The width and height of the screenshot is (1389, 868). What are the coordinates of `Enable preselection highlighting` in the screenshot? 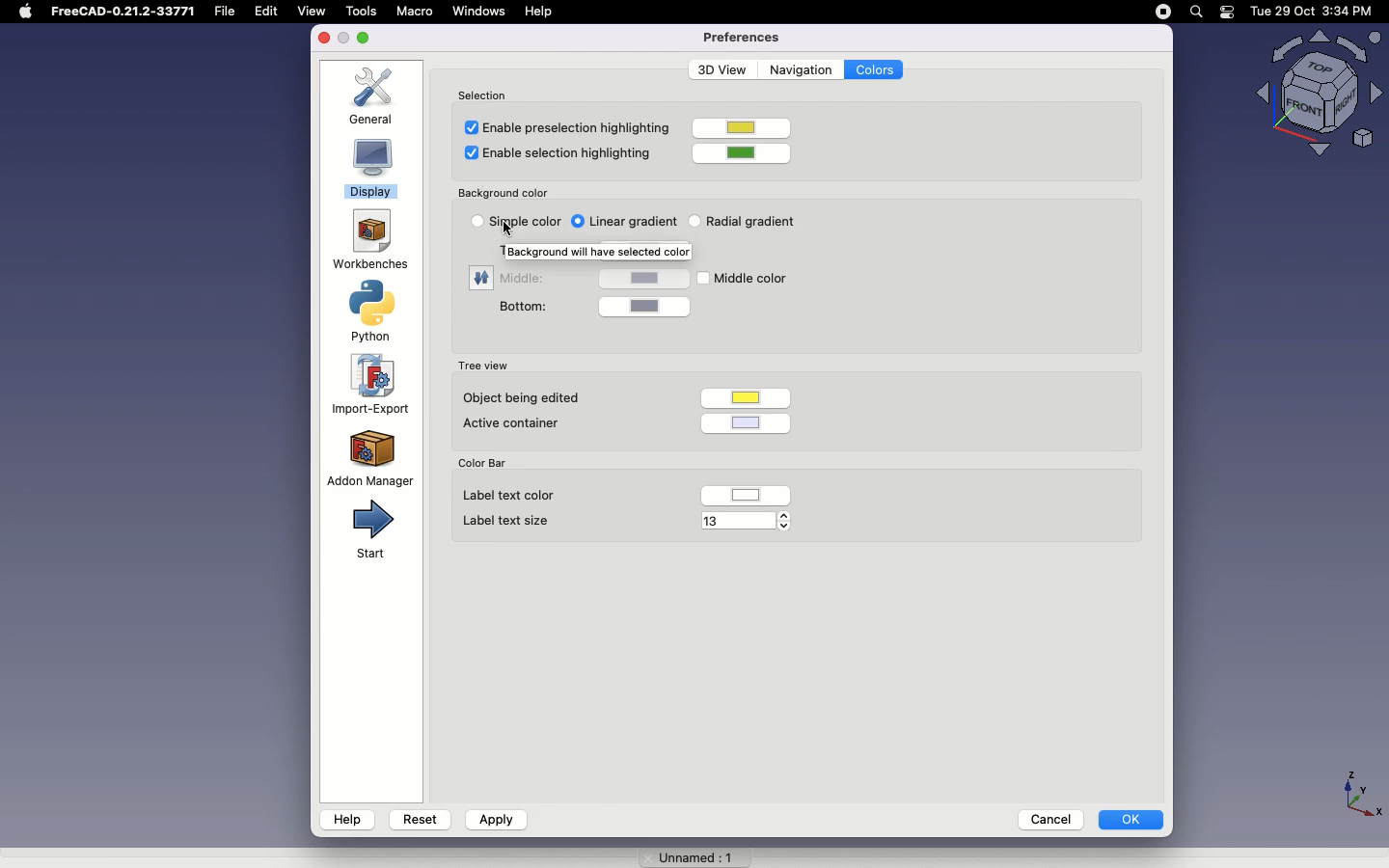 It's located at (562, 126).